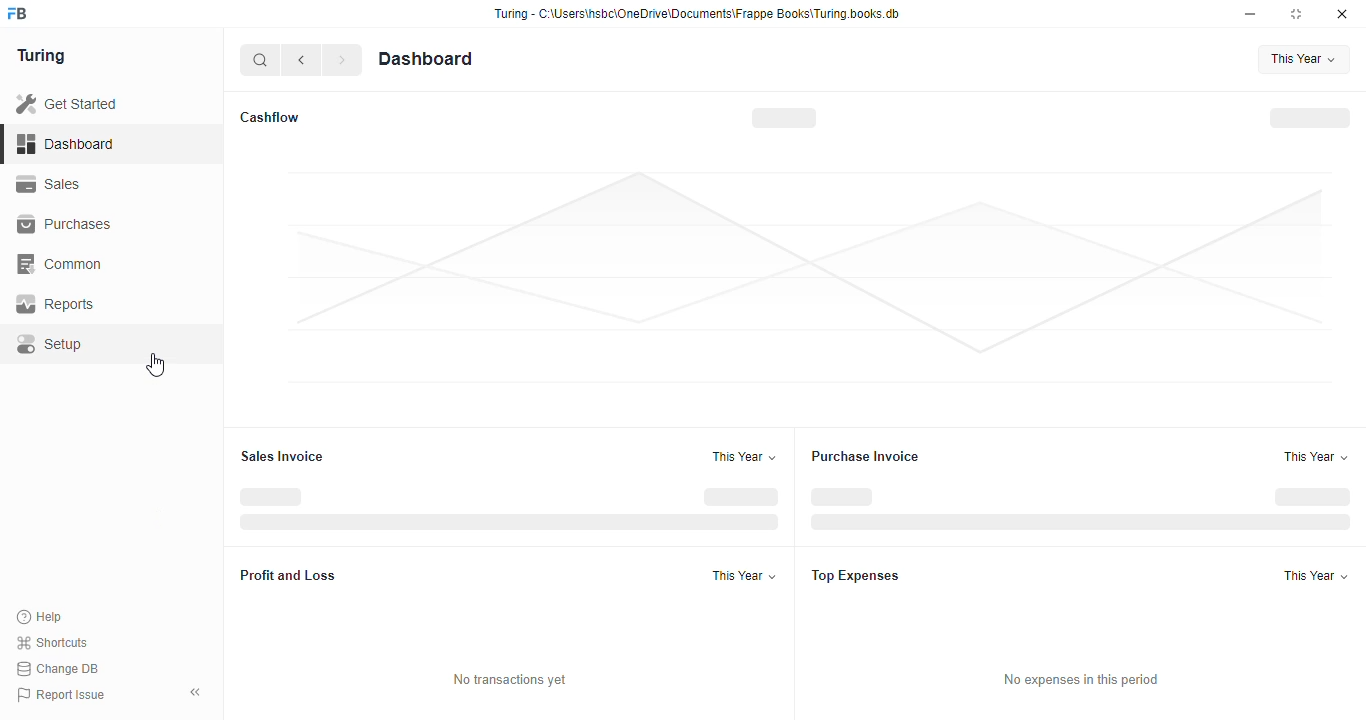 The width and height of the screenshot is (1366, 720). I want to click on change DB, so click(59, 668).